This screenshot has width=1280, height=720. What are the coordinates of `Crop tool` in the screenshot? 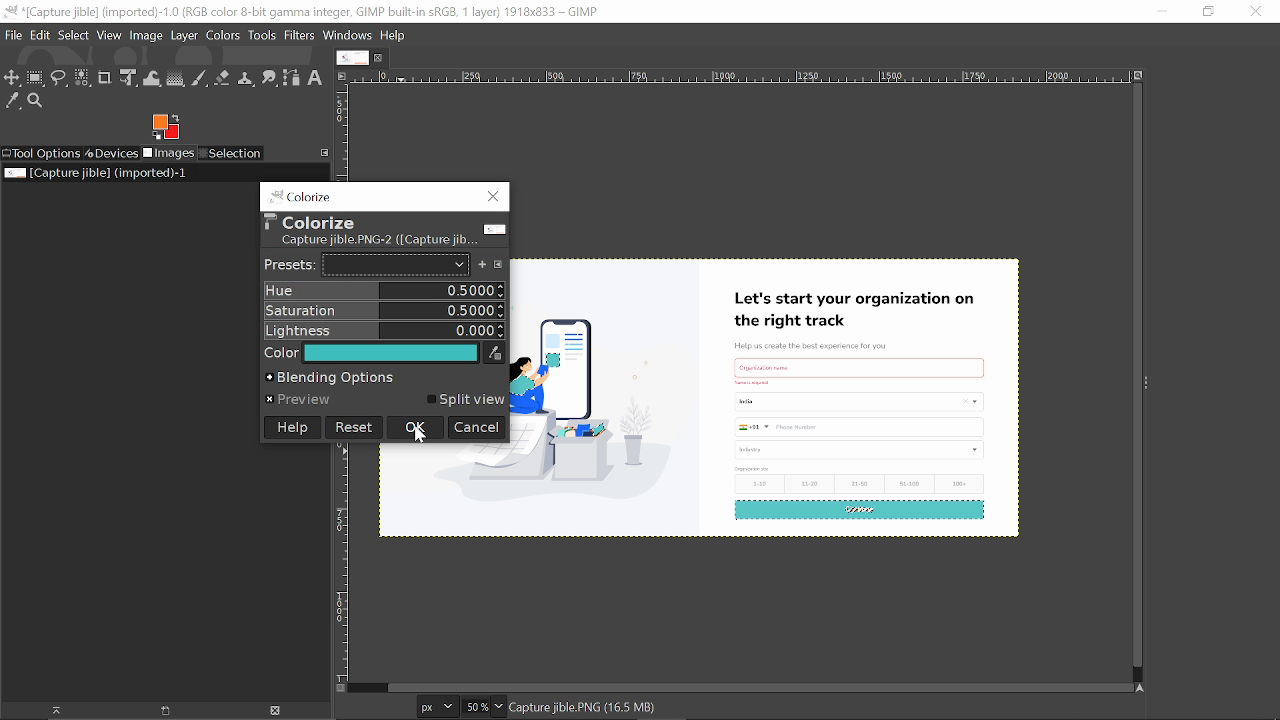 It's located at (105, 77).